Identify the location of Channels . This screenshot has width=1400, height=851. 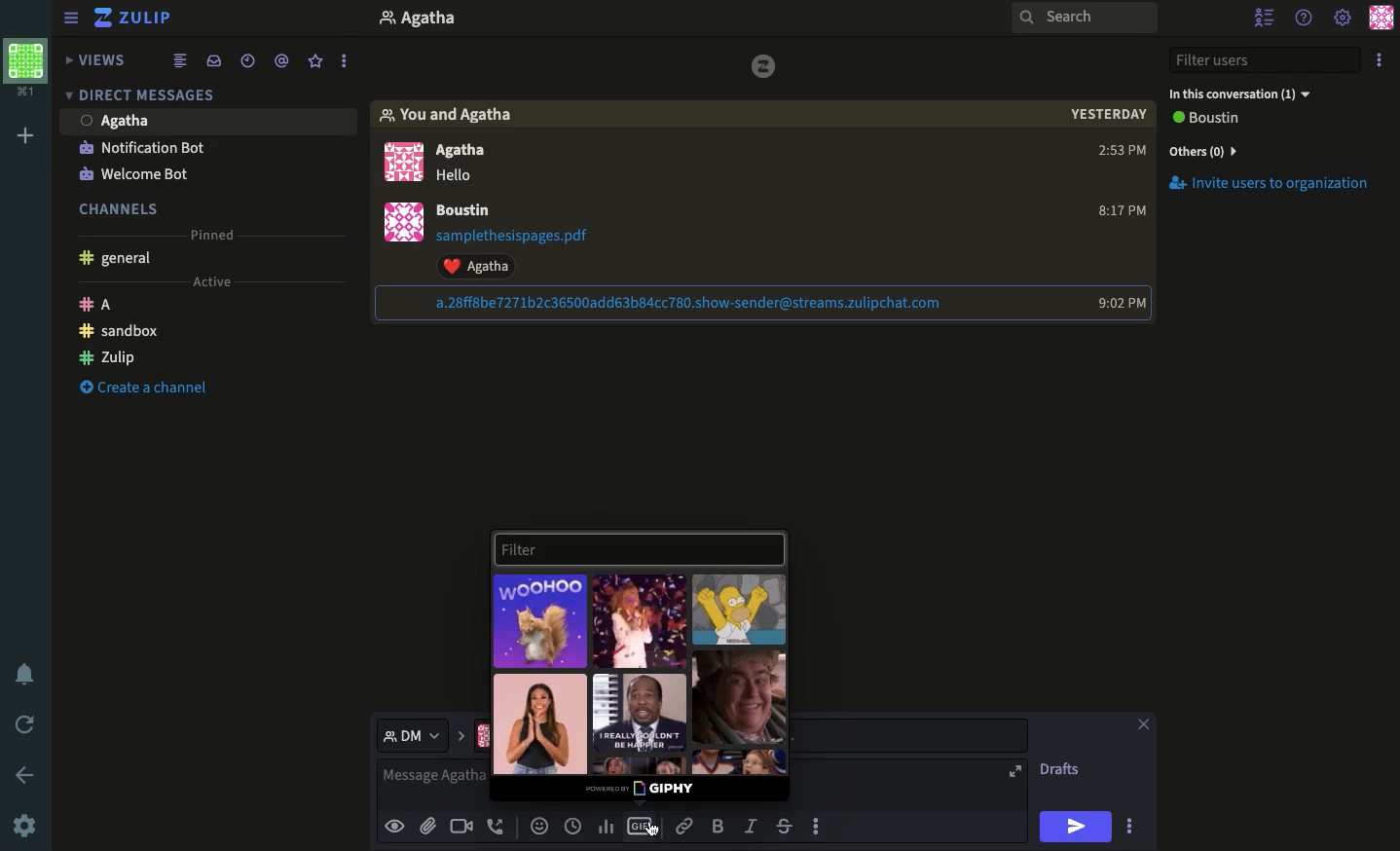
(122, 205).